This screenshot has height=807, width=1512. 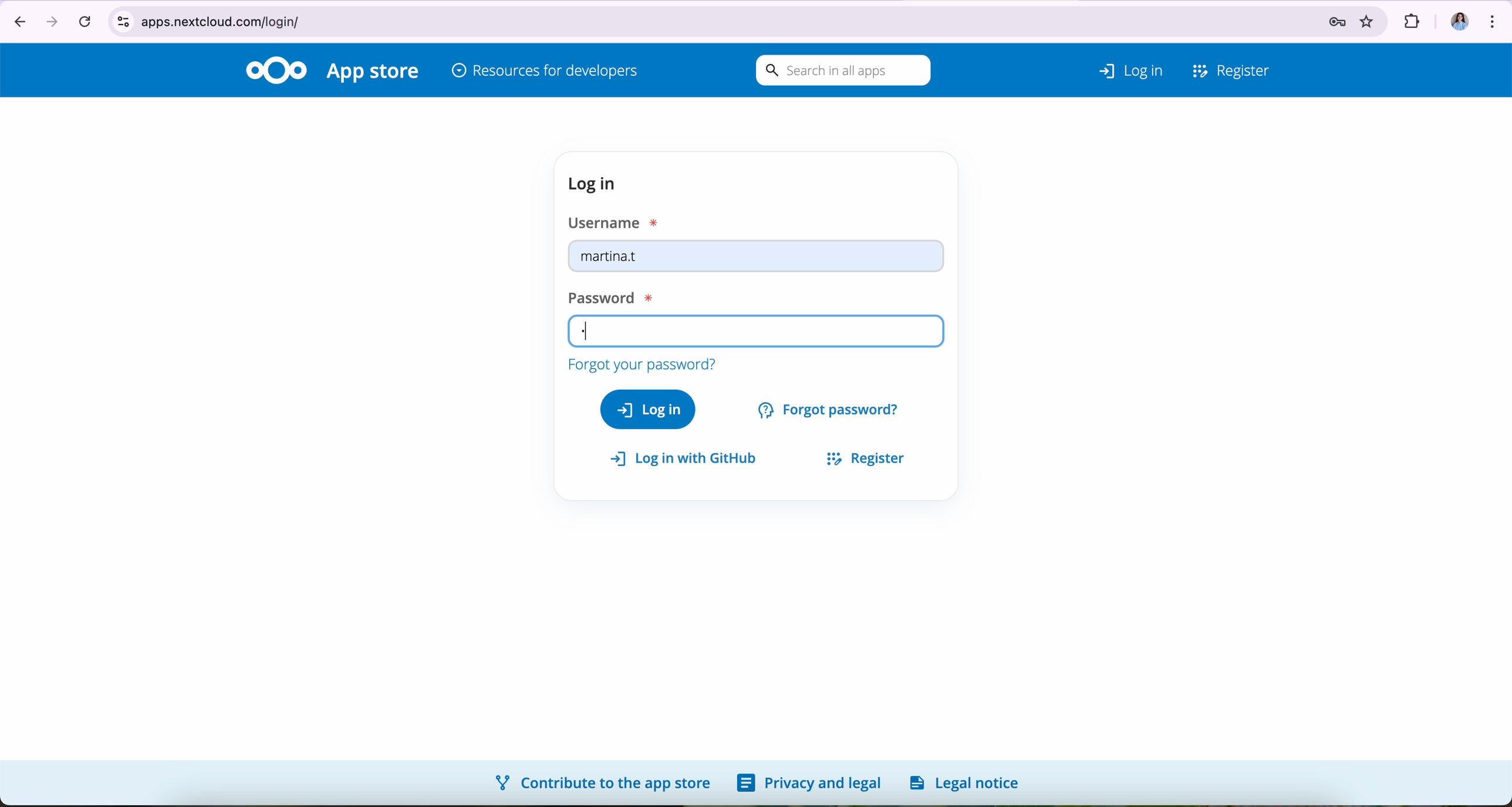 I want to click on register, so click(x=1232, y=68).